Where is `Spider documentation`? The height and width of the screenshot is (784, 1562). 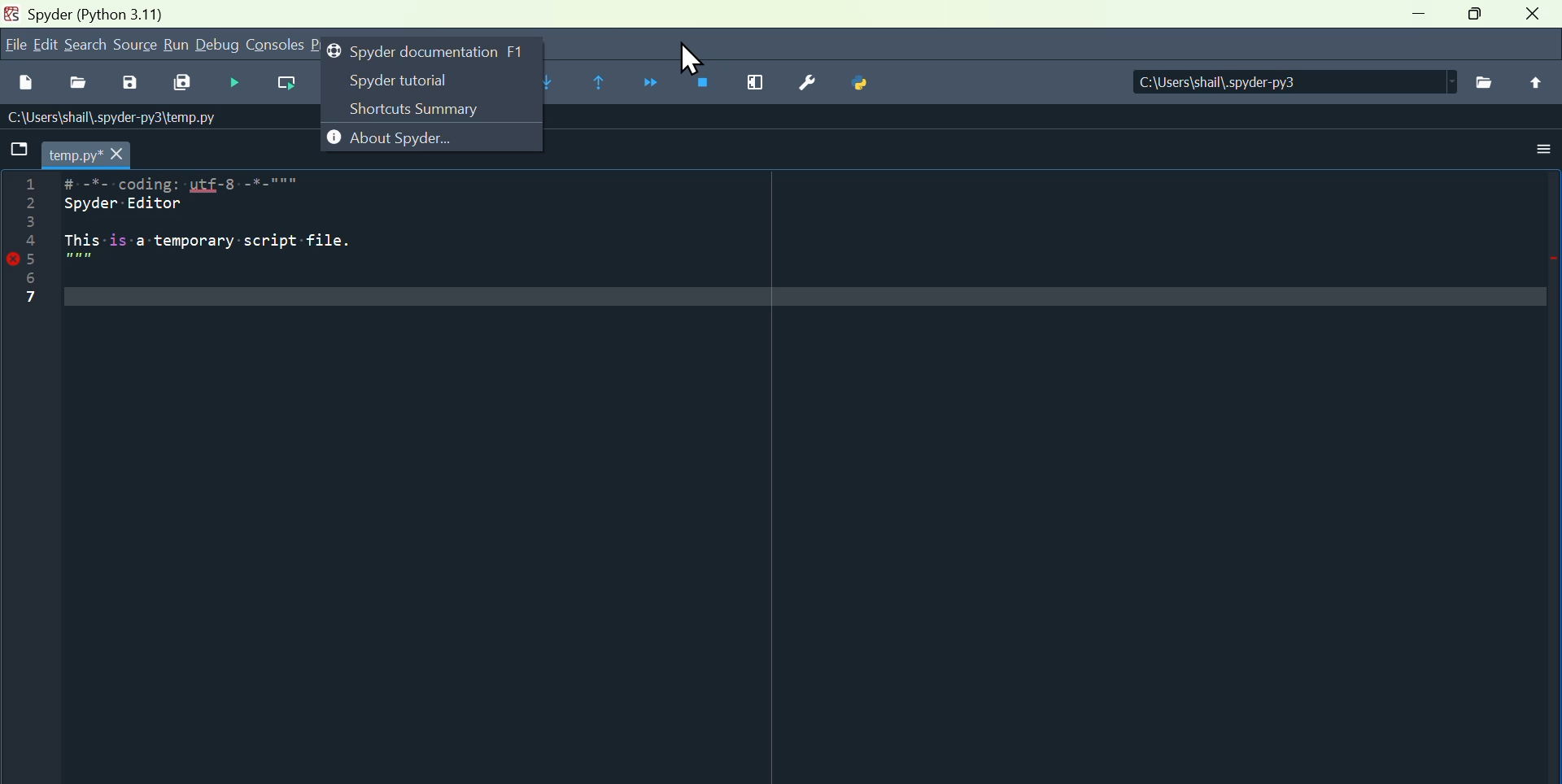
Spider documentation is located at coordinates (427, 50).